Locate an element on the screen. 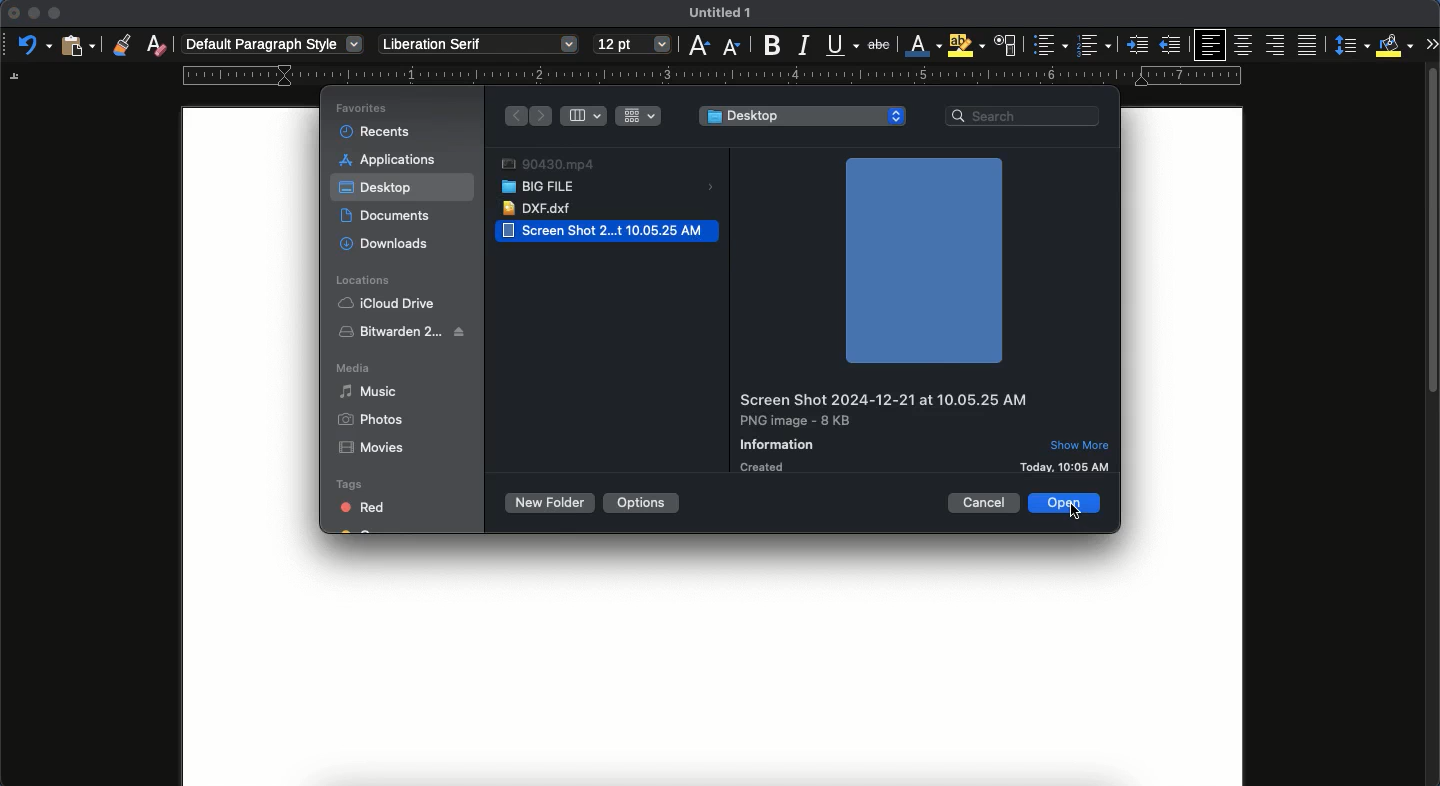 This screenshot has width=1440, height=786. character is located at coordinates (1006, 46).